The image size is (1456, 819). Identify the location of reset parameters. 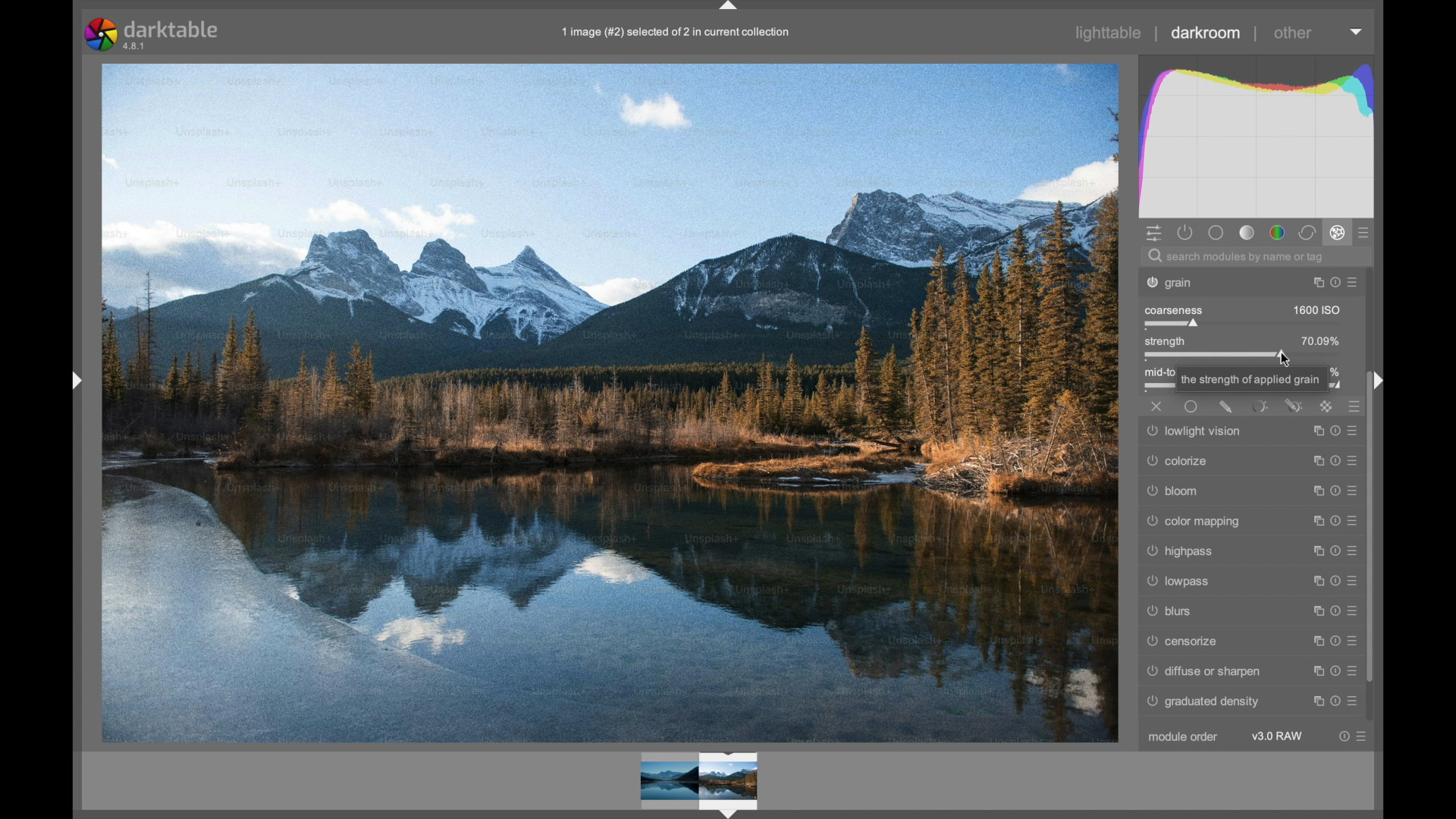
(1335, 701).